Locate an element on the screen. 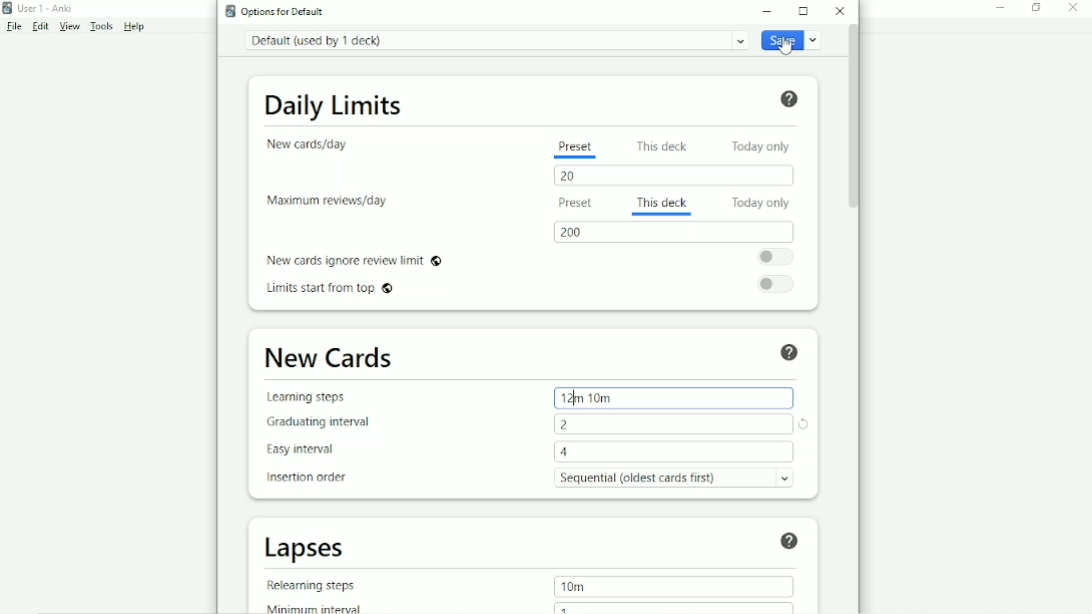  Edit is located at coordinates (41, 27).